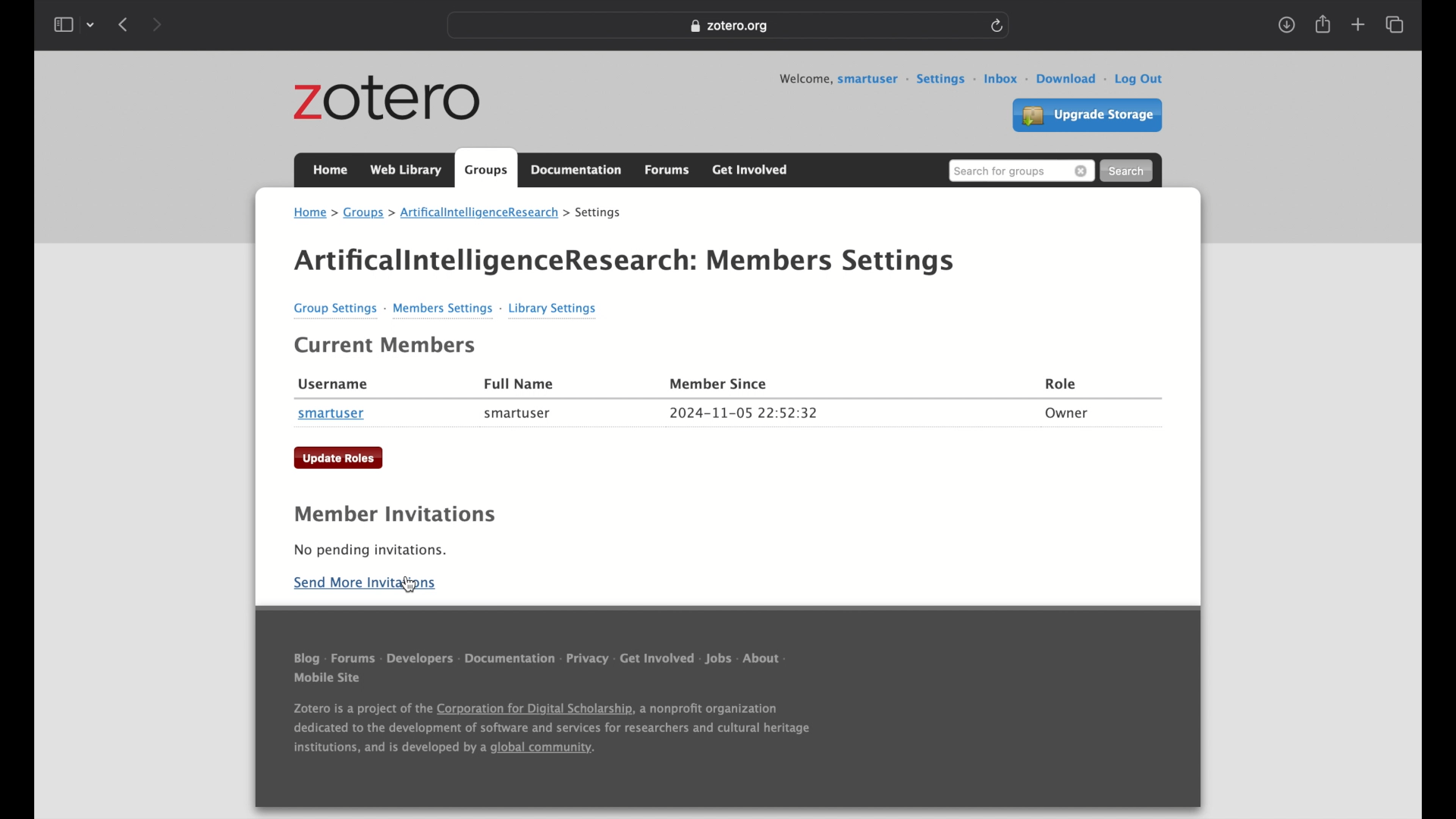 The image size is (1456, 819). I want to click on welcome, smartuser, so click(844, 80).